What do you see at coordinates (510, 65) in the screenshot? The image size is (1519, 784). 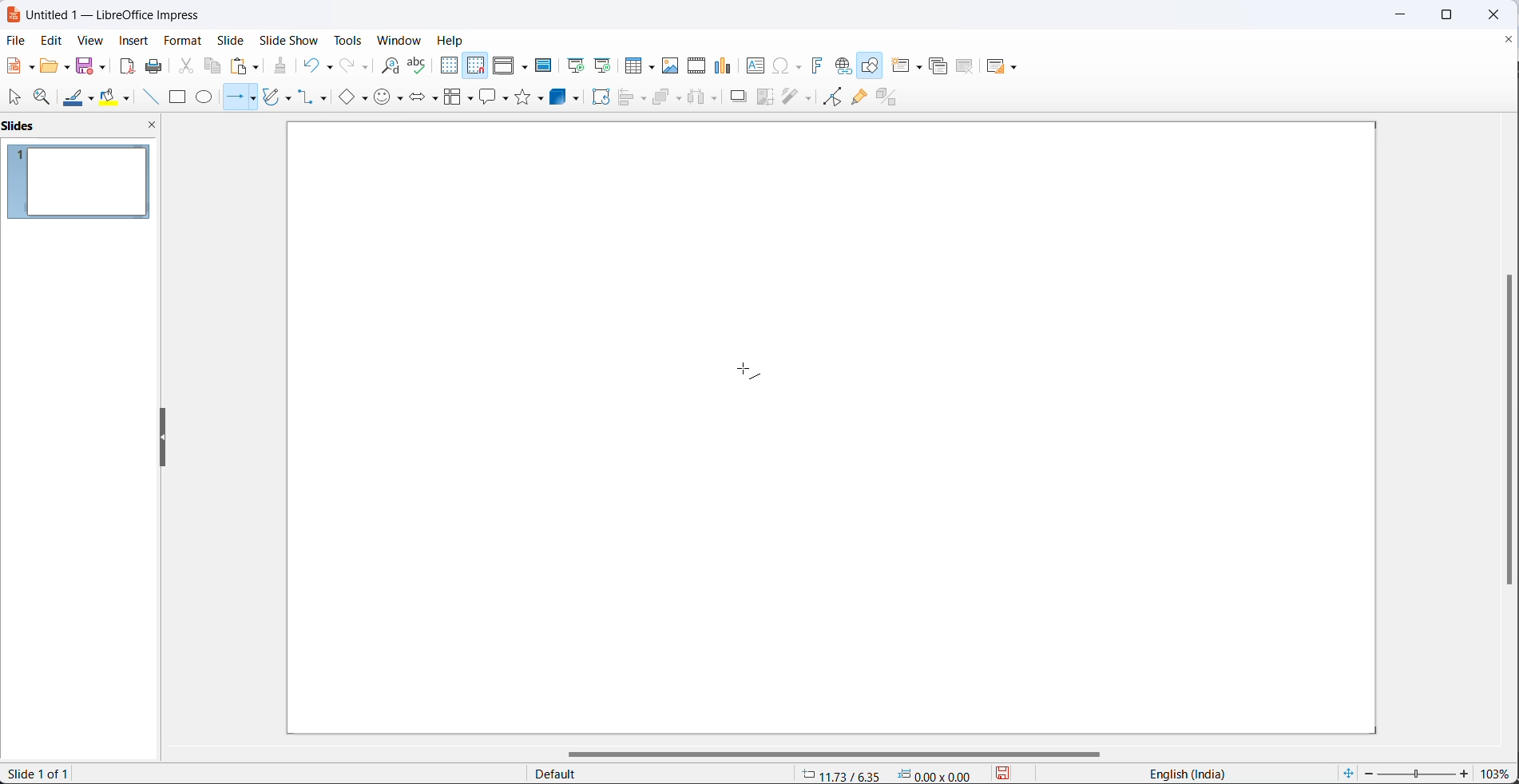 I see `display view` at bounding box center [510, 65].